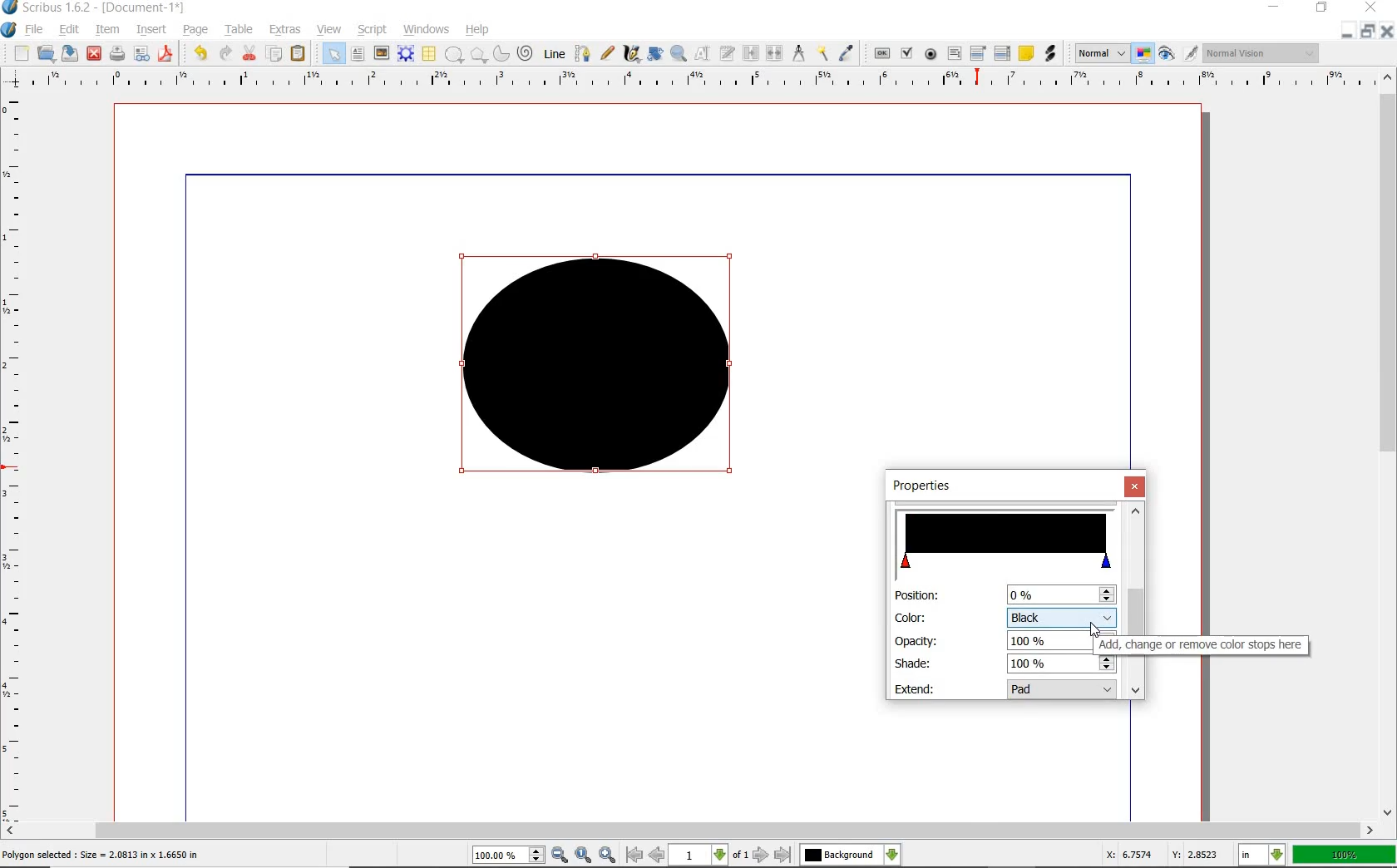 This screenshot has width=1397, height=868. I want to click on color, so click(911, 617).